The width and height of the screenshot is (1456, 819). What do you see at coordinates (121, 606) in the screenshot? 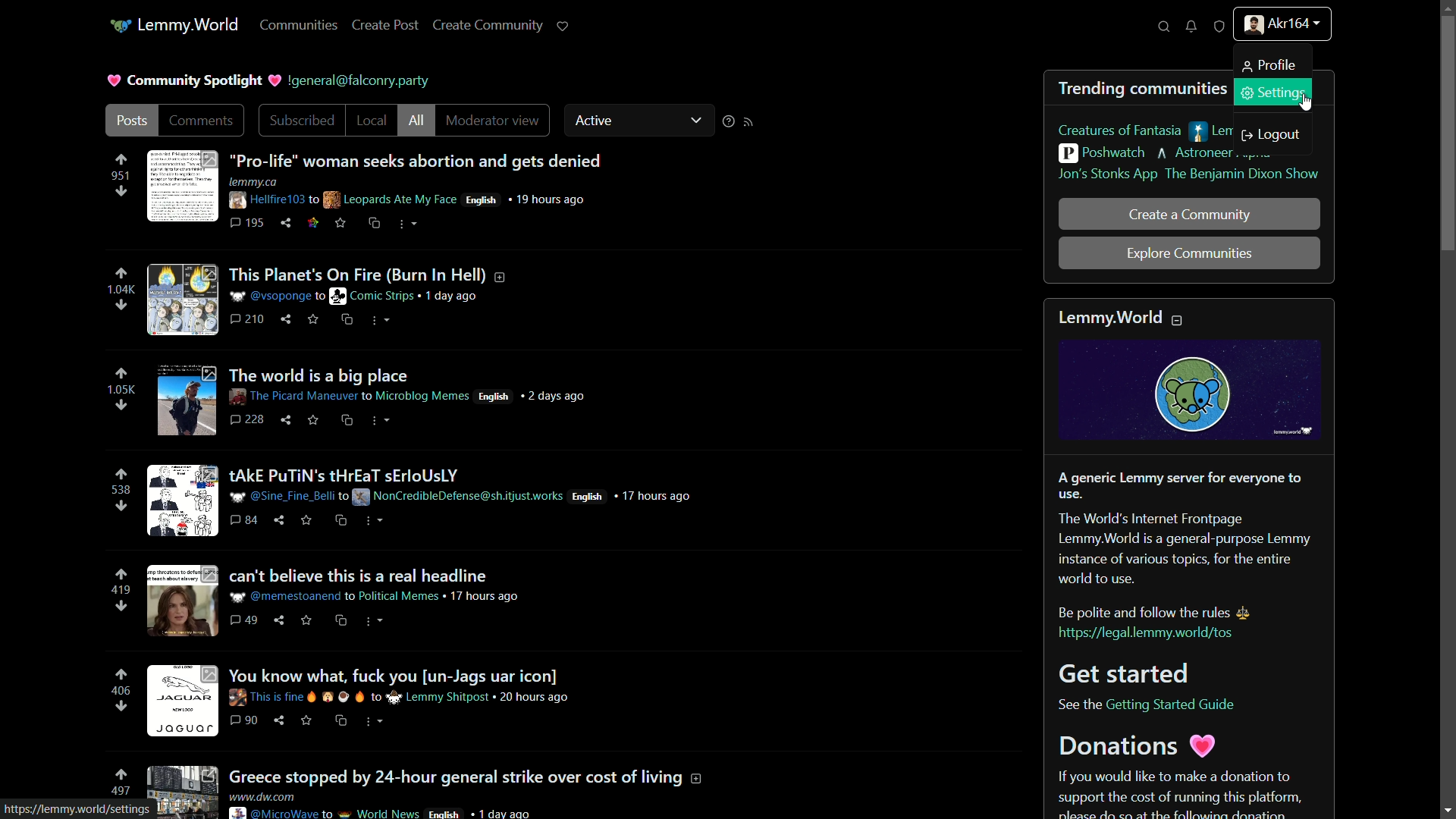
I see `downvote` at bounding box center [121, 606].